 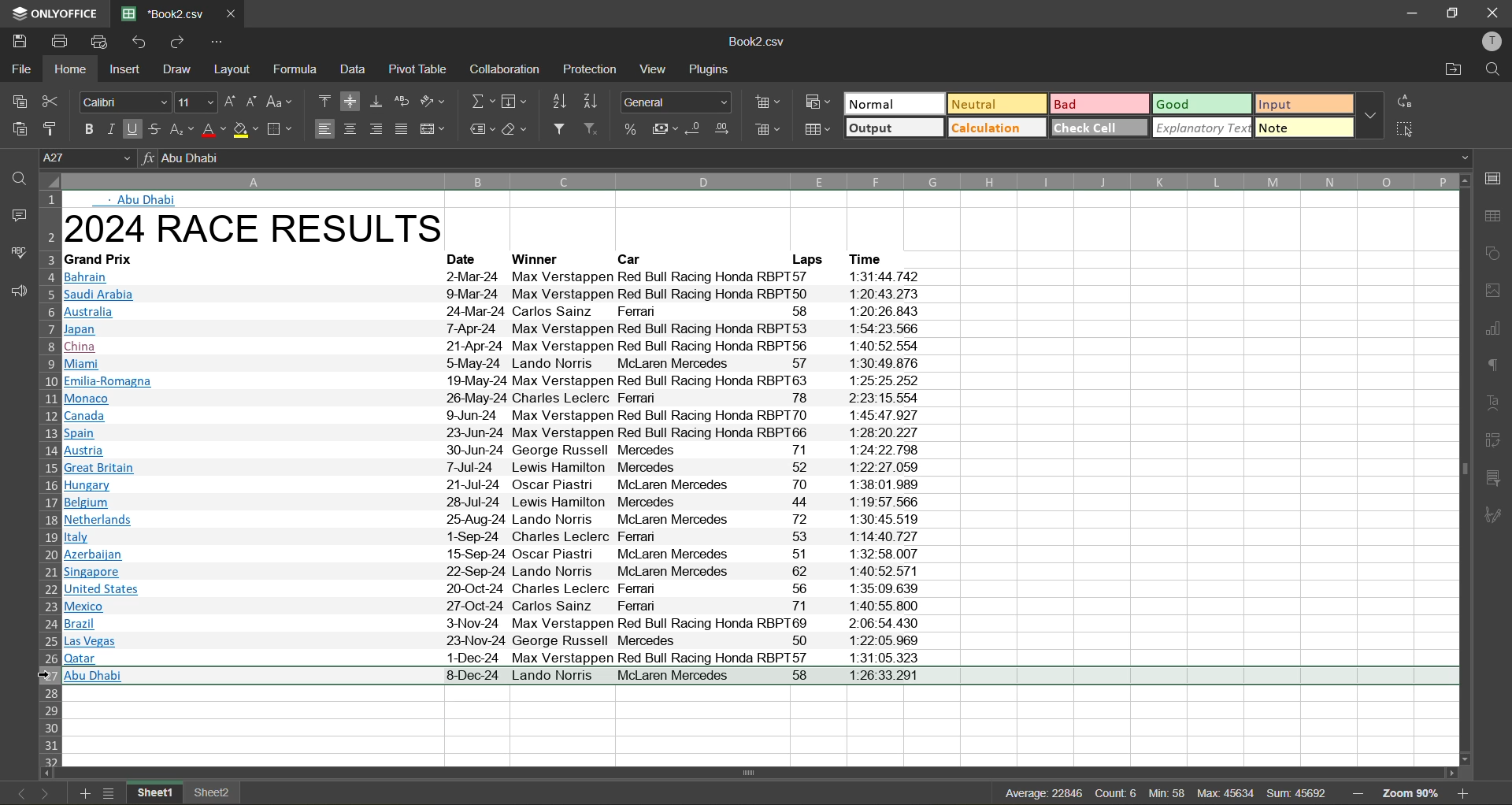 I want to click on pivot table, so click(x=1495, y=444).